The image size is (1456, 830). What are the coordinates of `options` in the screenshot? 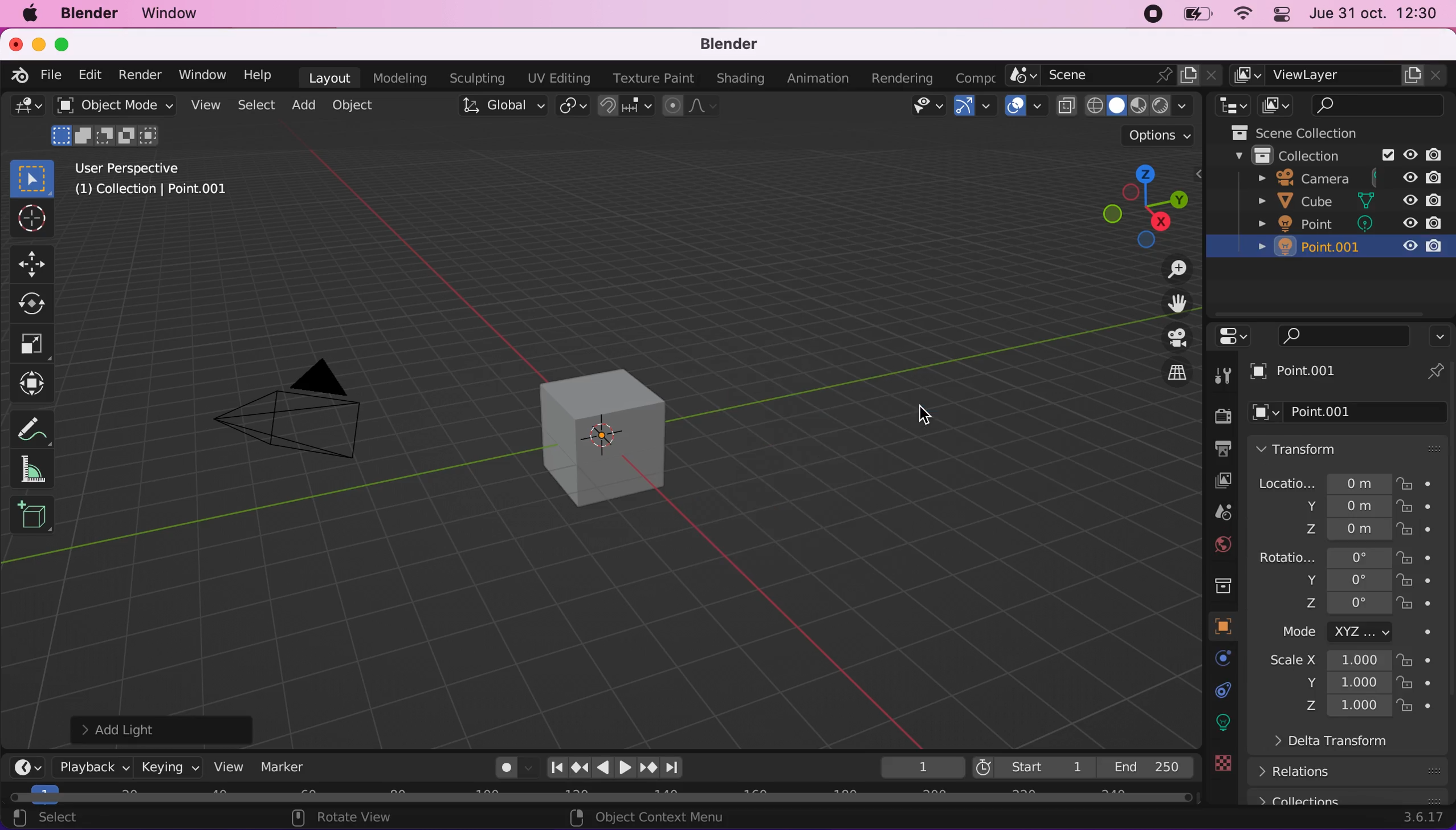 It's located at (1438, 335).